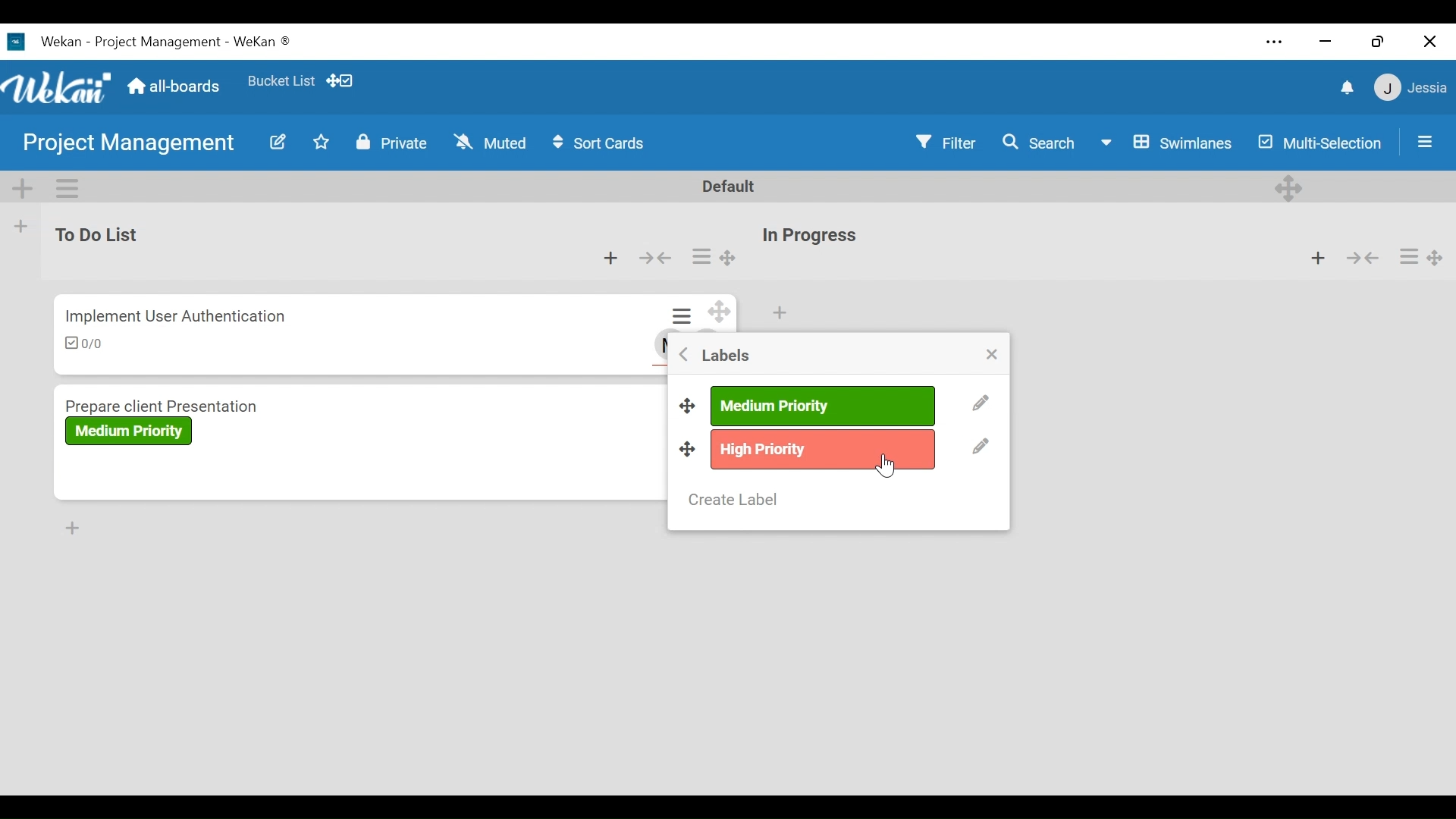  What do you see at coordinates (980, 403) in the screenshot?
I see `Edit` at bounding box center [980, 403].